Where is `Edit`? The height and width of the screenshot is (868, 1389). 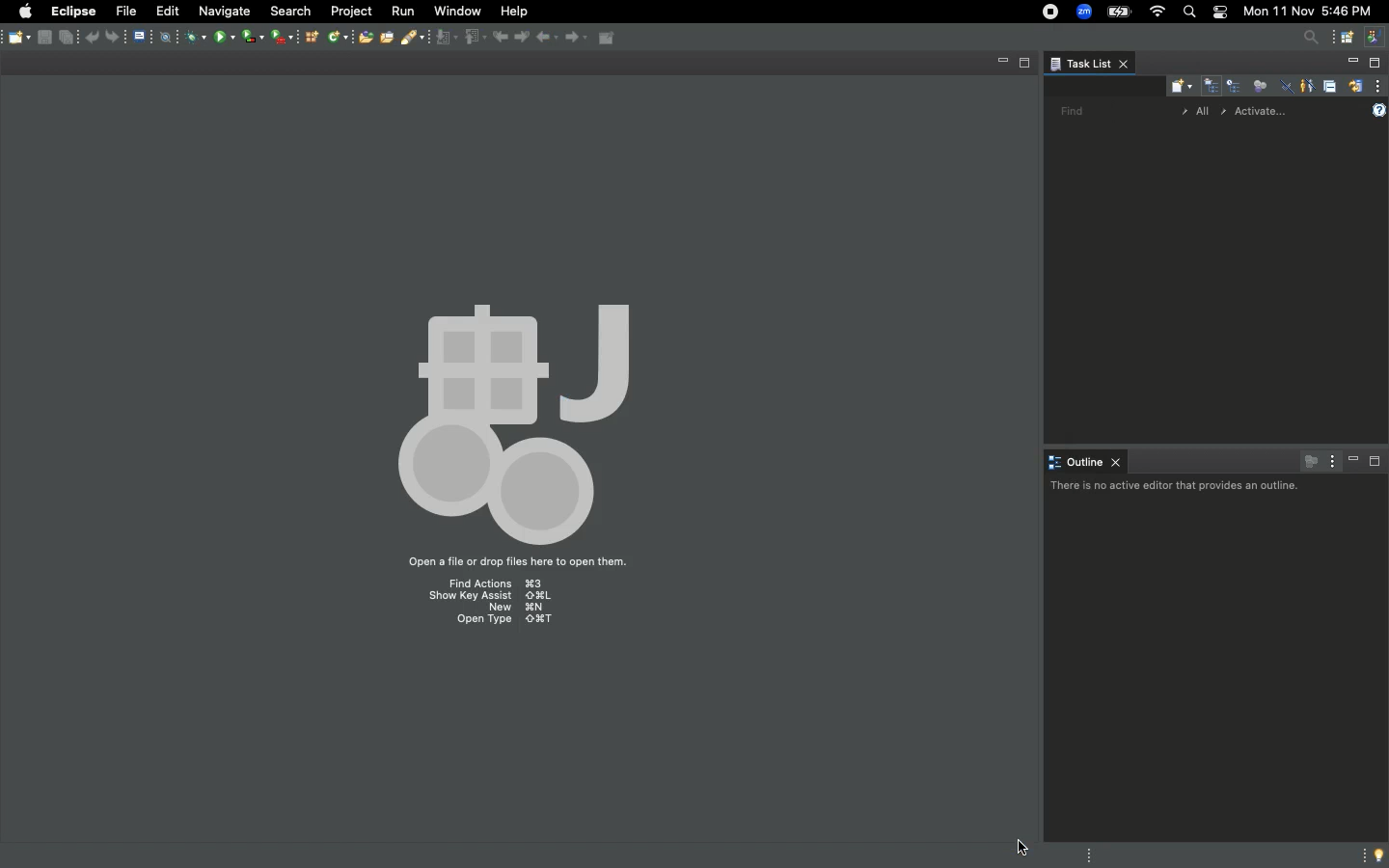
Edit is located at coordinates (166, 11).